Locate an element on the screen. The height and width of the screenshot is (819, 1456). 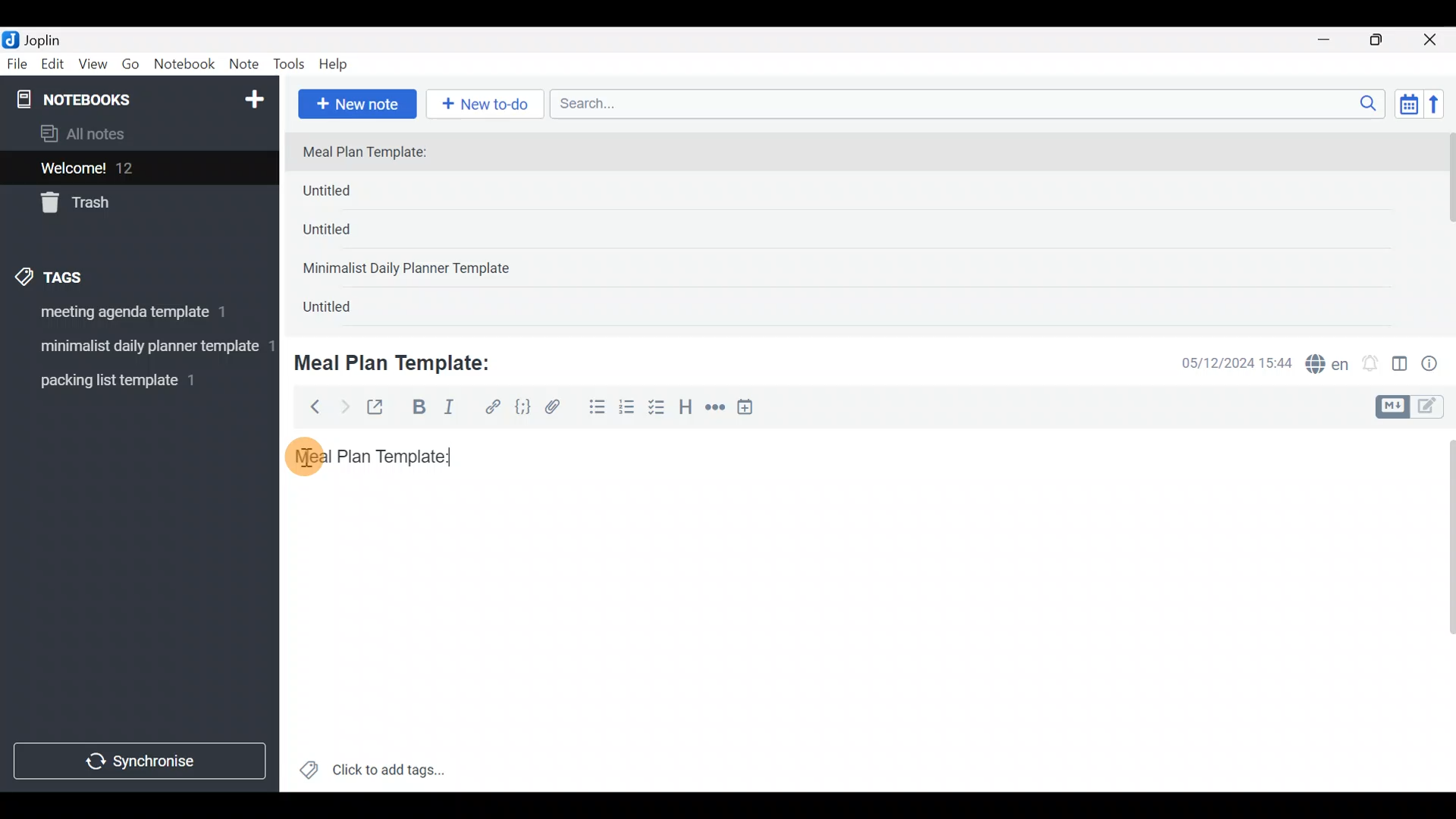
Tools is located at coordinates (290, 65).